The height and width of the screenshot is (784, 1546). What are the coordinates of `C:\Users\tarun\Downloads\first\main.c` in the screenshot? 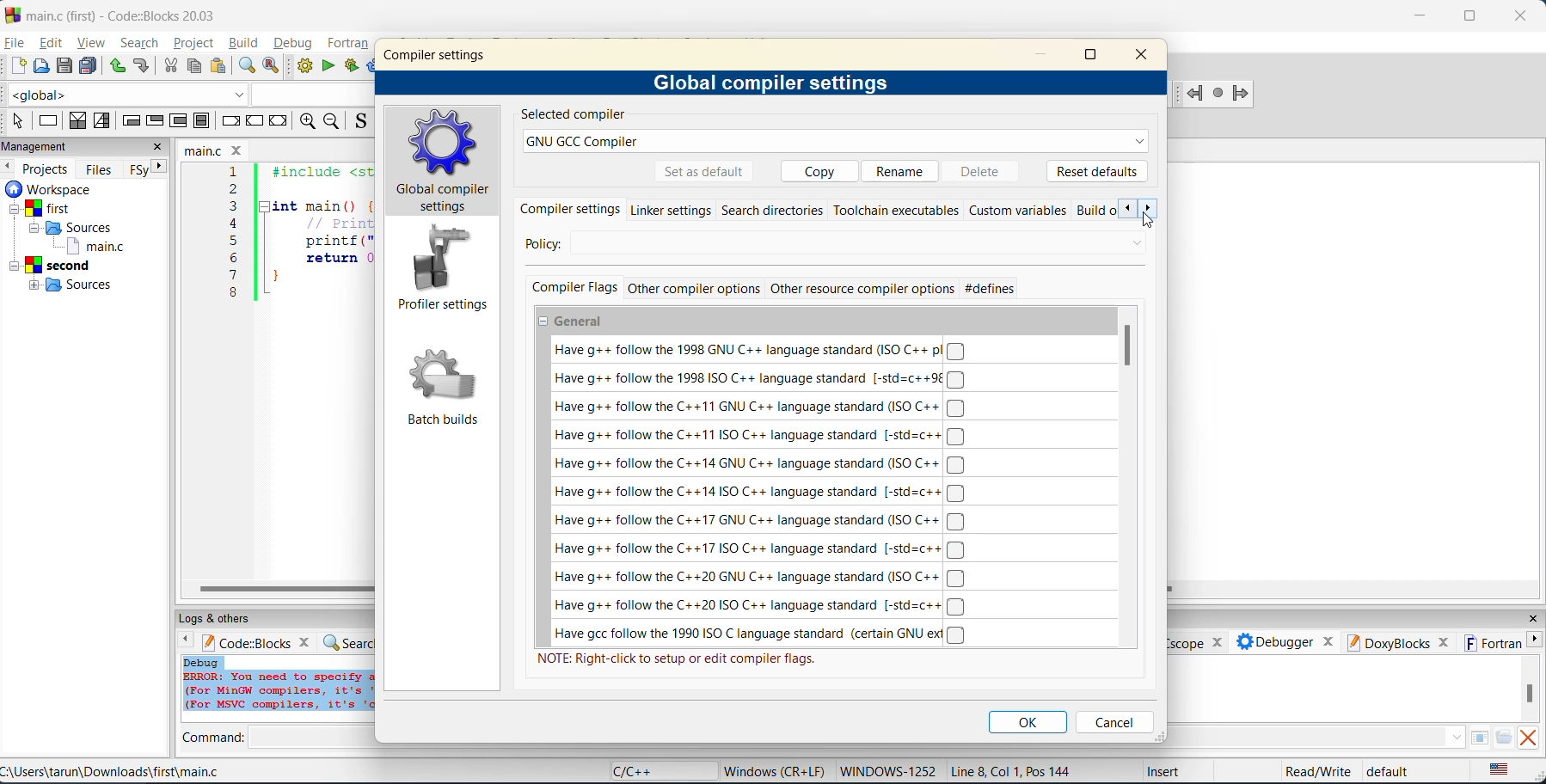 It's located at (115, 771).